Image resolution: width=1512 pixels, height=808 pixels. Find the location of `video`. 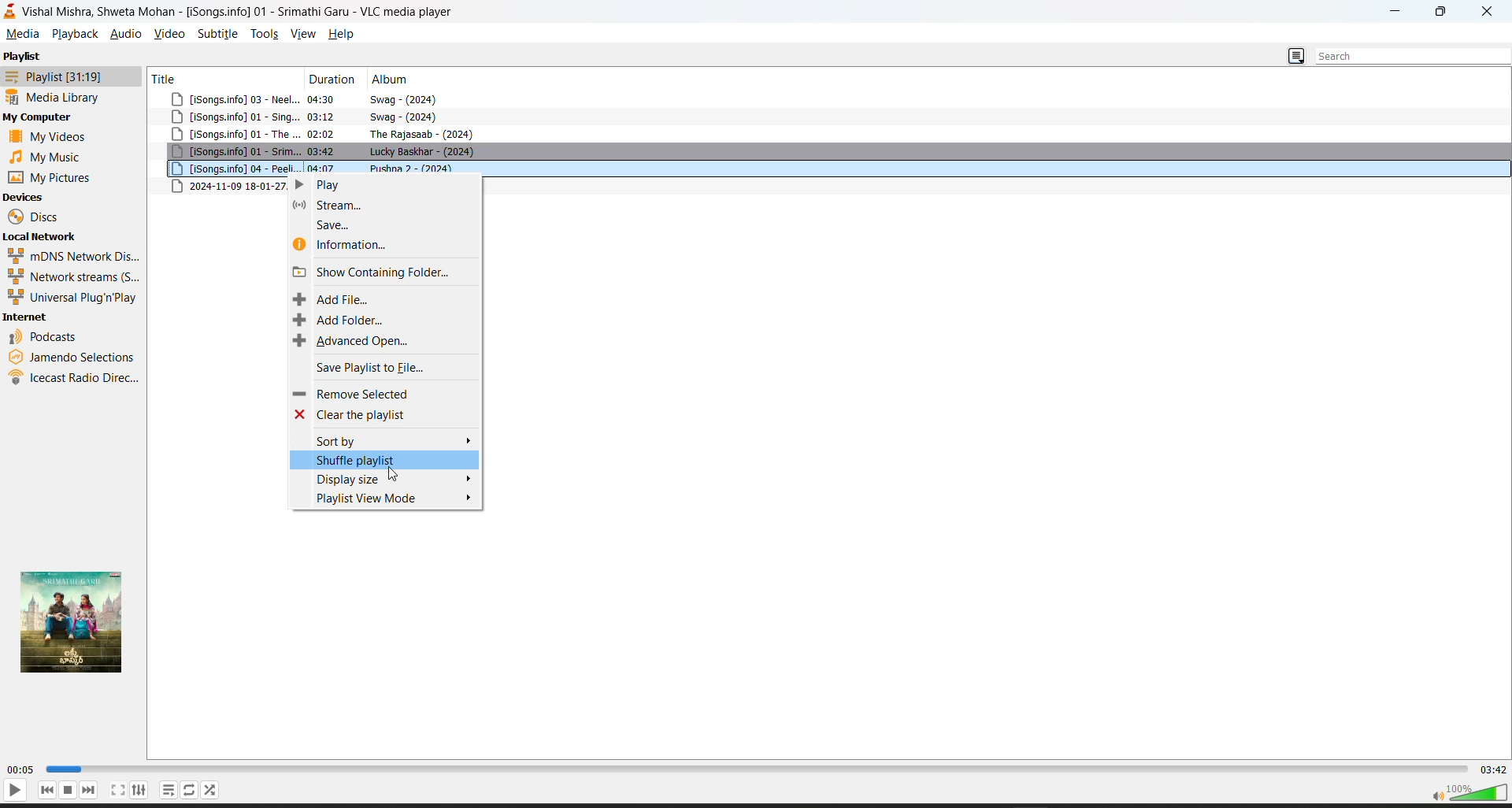

video is located at coordinates (168, 32).